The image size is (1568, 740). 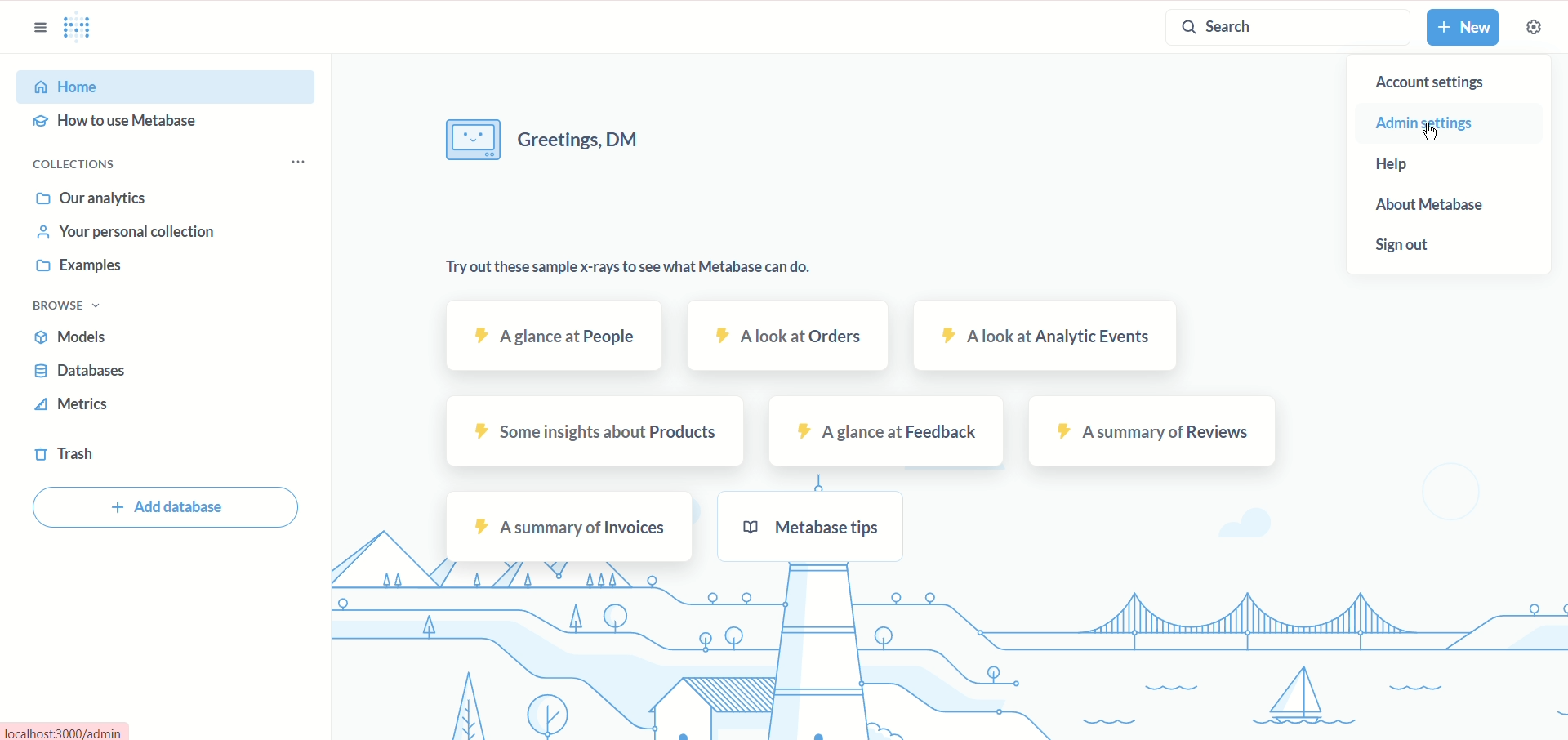 What do you see at coordinates (1053, 335) in the screenshot?
I see `a look at Analytic events` at bounding box center [1053, 335].